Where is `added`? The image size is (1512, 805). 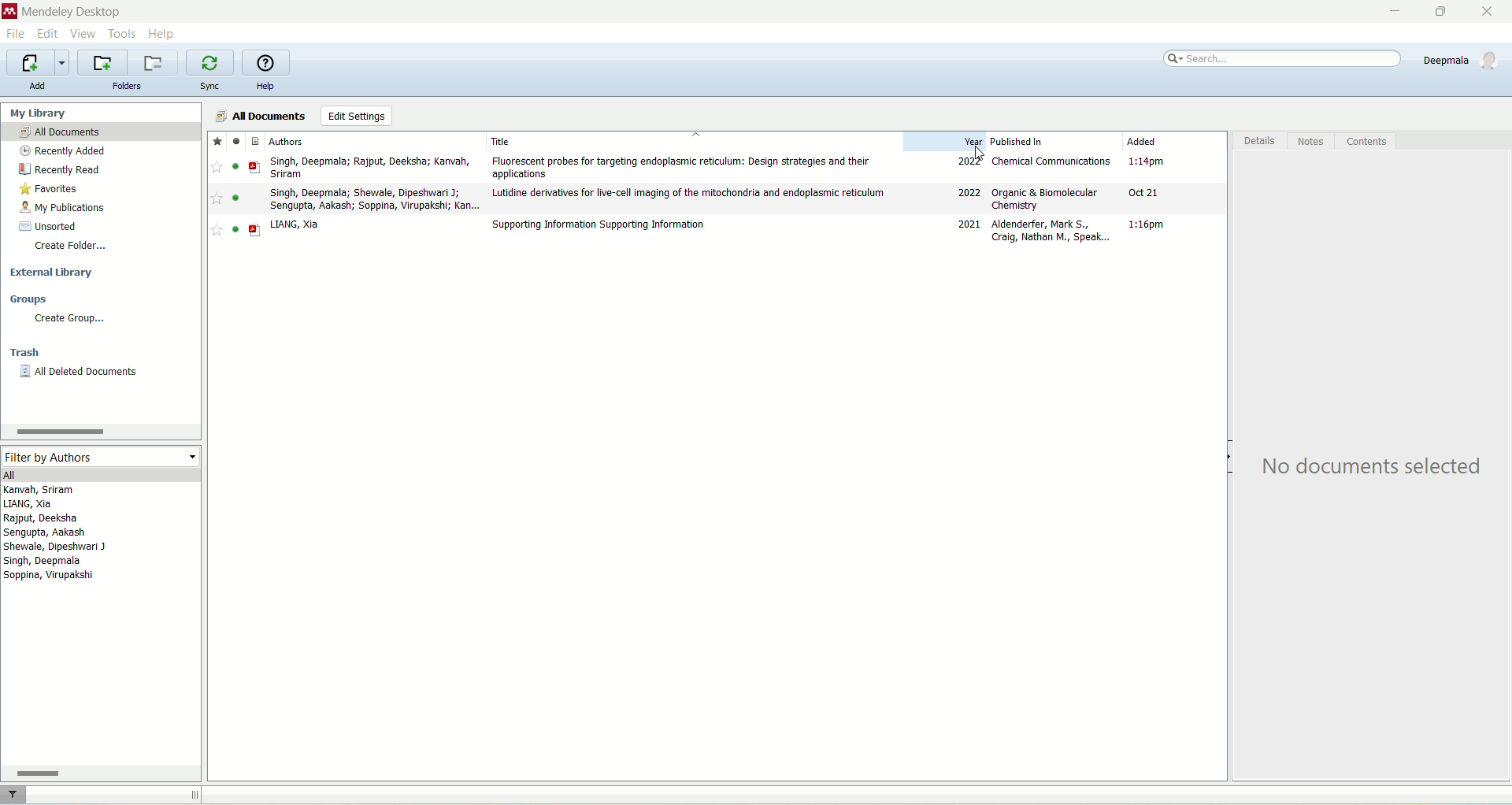
added is located at coordinates (1174, 143).